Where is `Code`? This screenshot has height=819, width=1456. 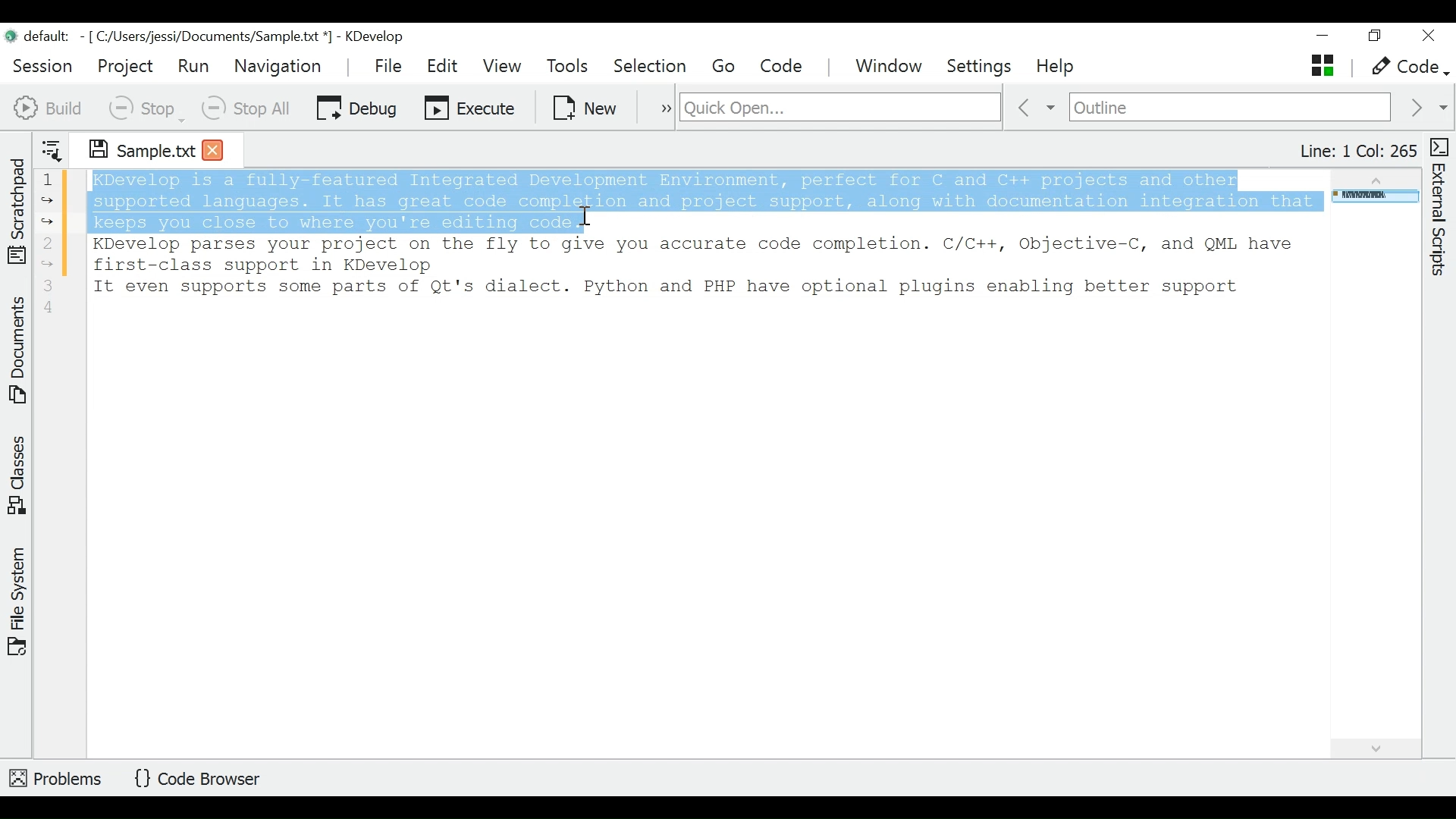 Code is located at coordinates (1407, 67).